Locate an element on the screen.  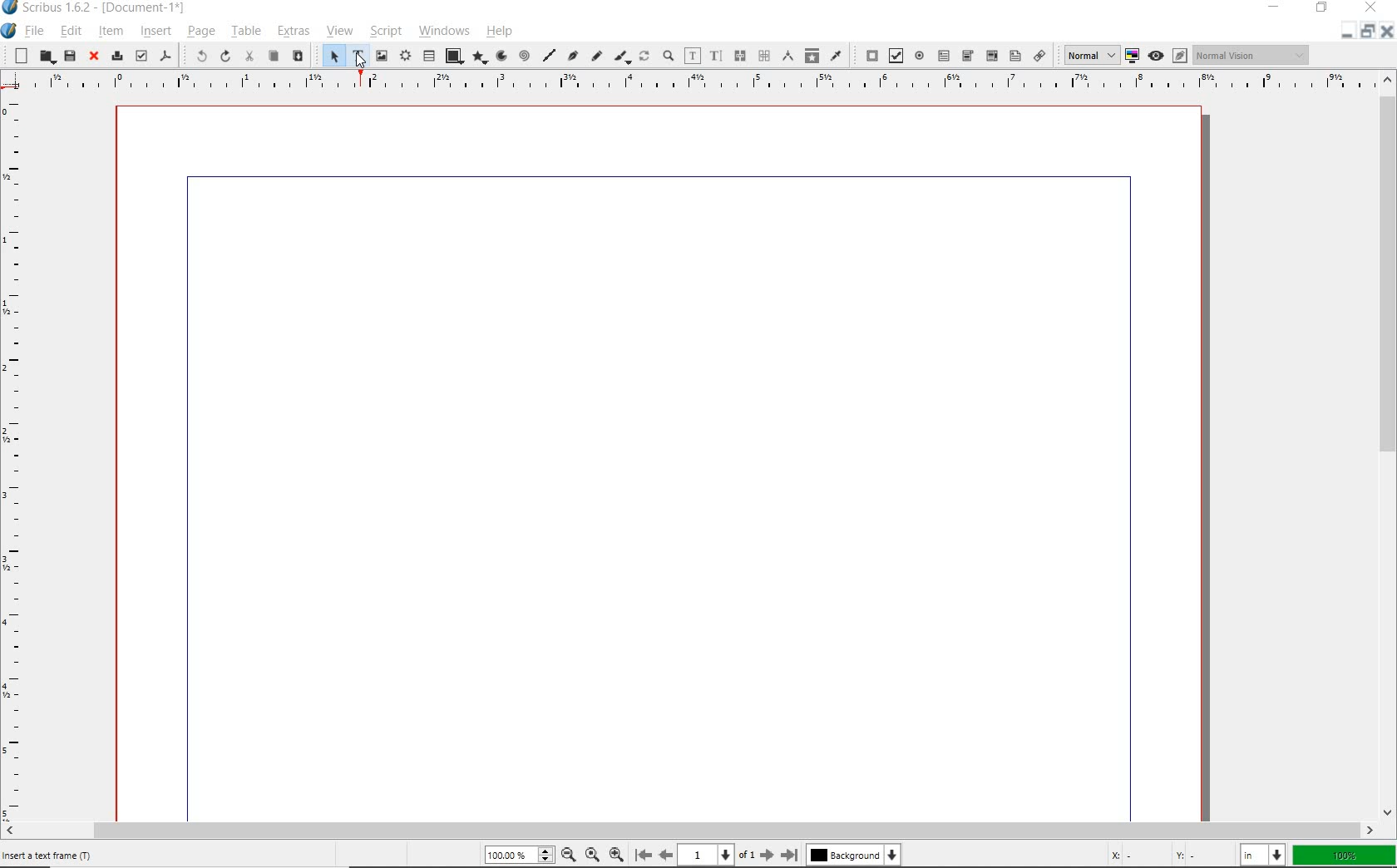
minimize is located at coordinates (1365, 32).